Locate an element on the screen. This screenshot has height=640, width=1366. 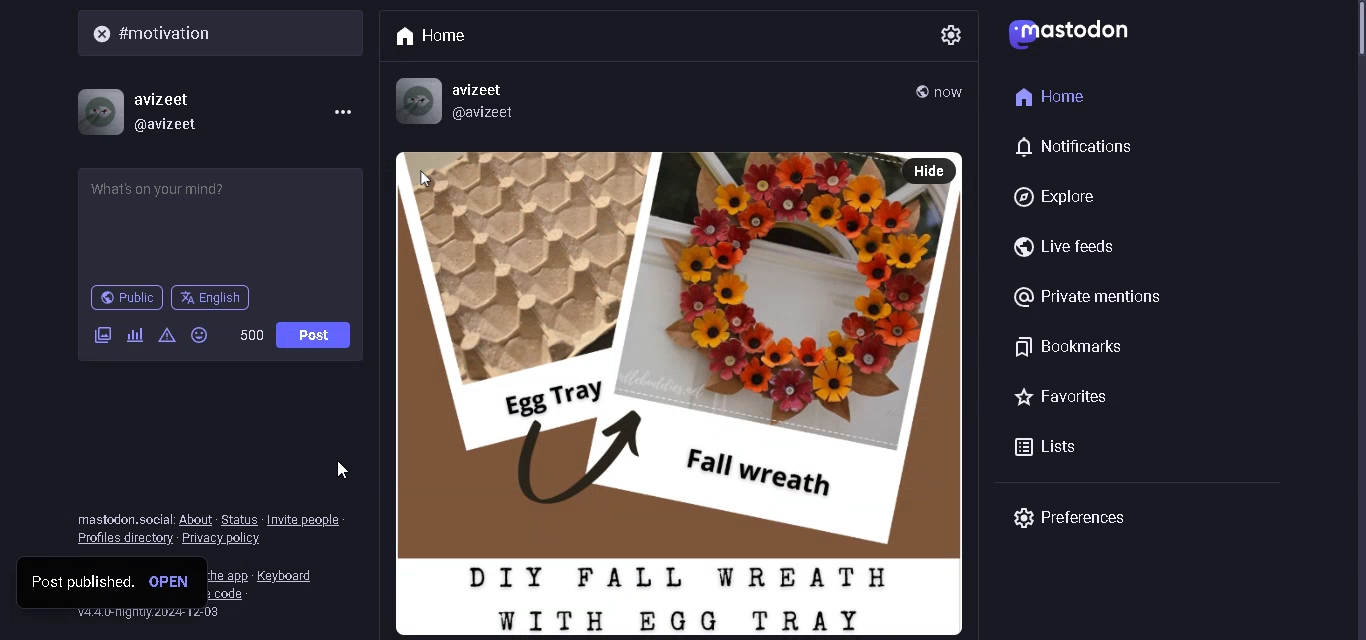
keyboards is located at coordinates (291, 573).